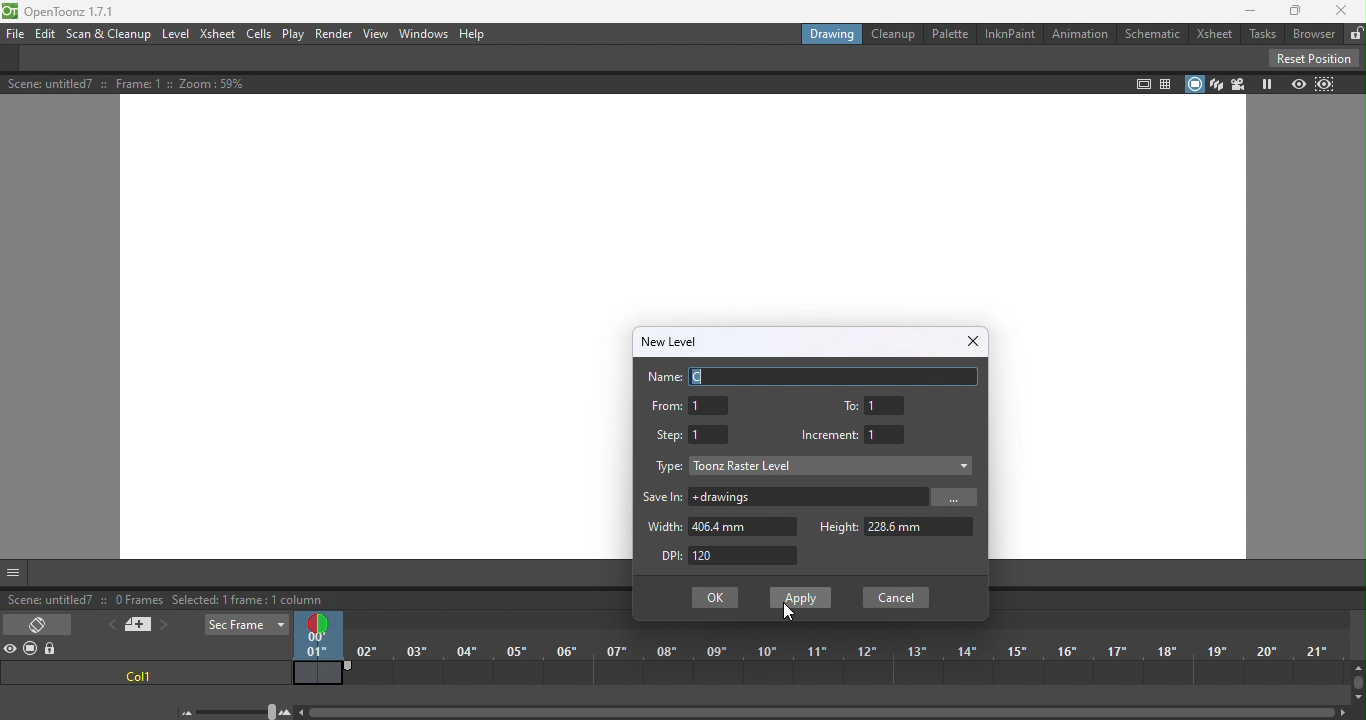 This screenshot has width=1366, height=720. Describe the element at coordinates (958, 498) in the screenshot. I see `Browse` at that location.